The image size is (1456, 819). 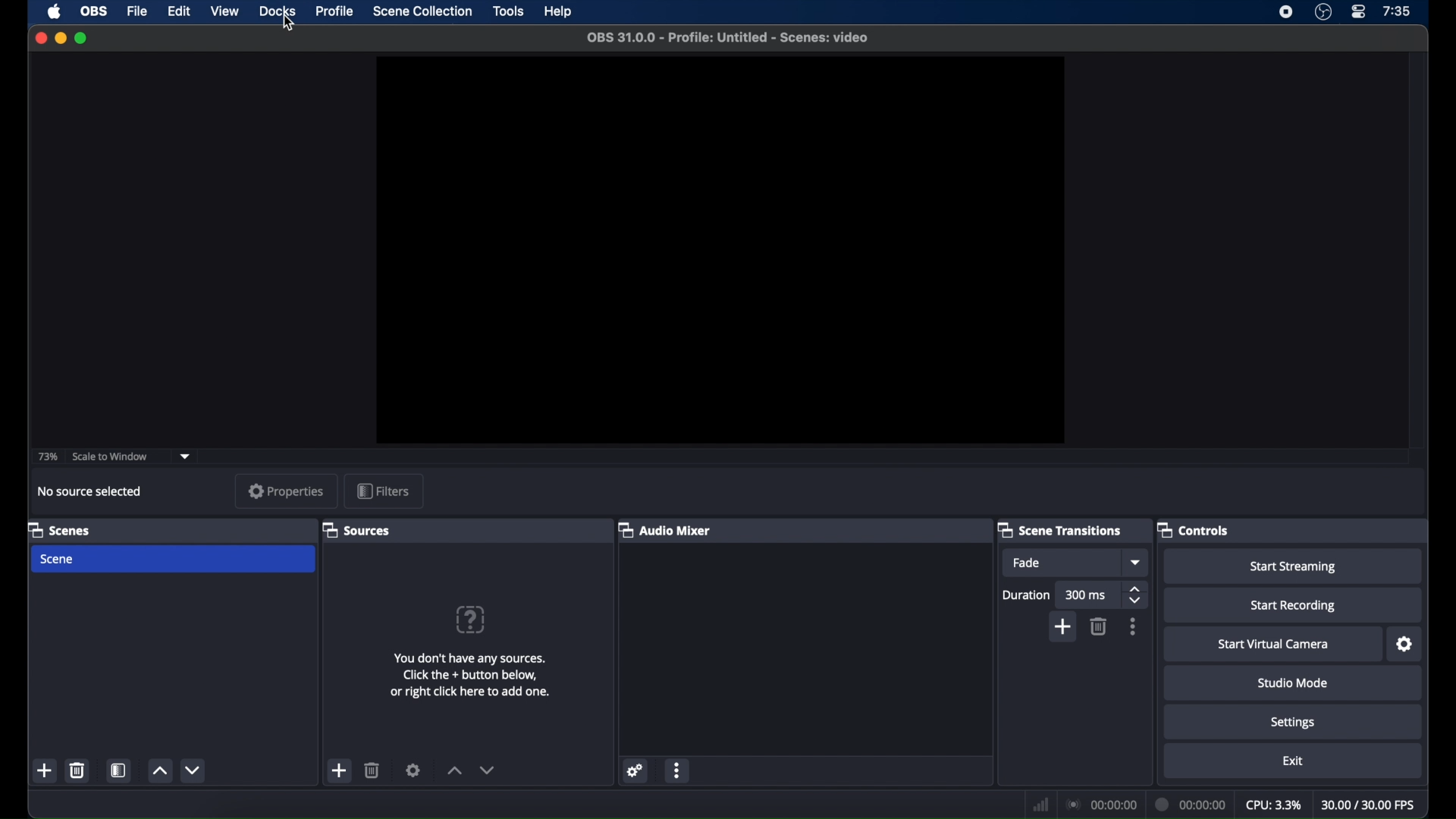 I want to click on 7.35, so click(x=1397, y=12).